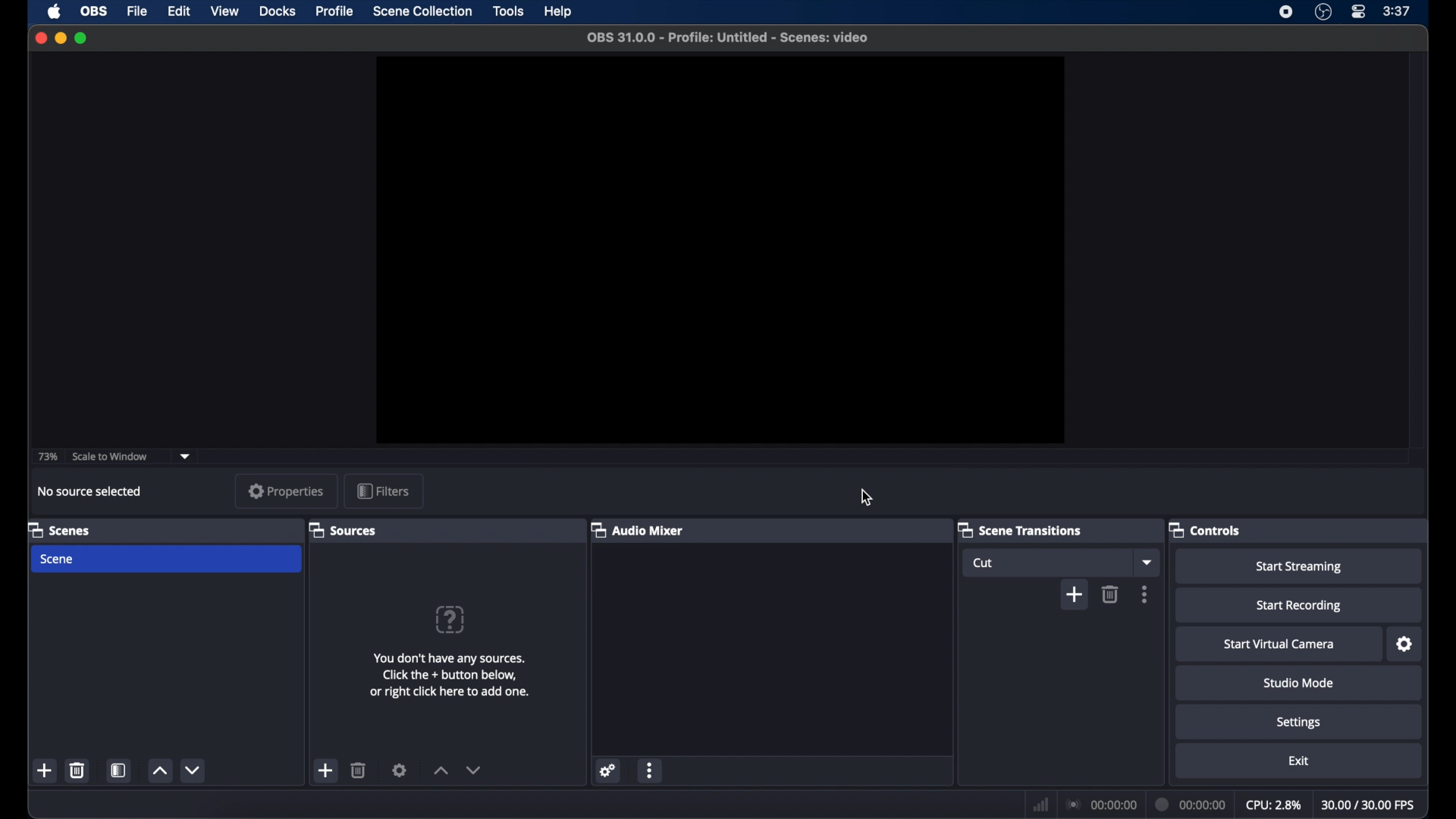  What do you see at coordinates (987, 563) in the screenshot?
I see `cut` at bounding box center [987, 563].